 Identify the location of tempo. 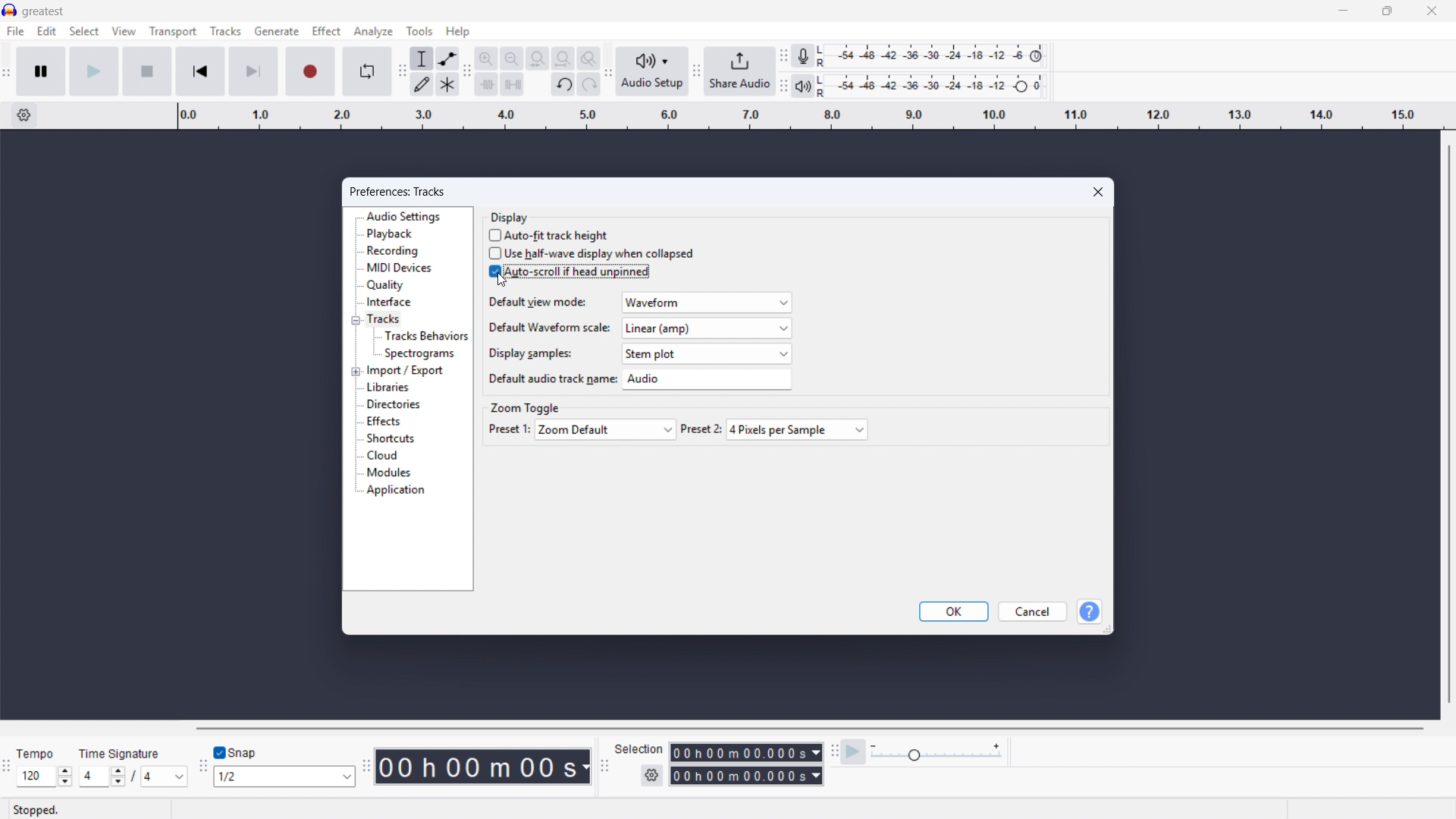
(36, 754).